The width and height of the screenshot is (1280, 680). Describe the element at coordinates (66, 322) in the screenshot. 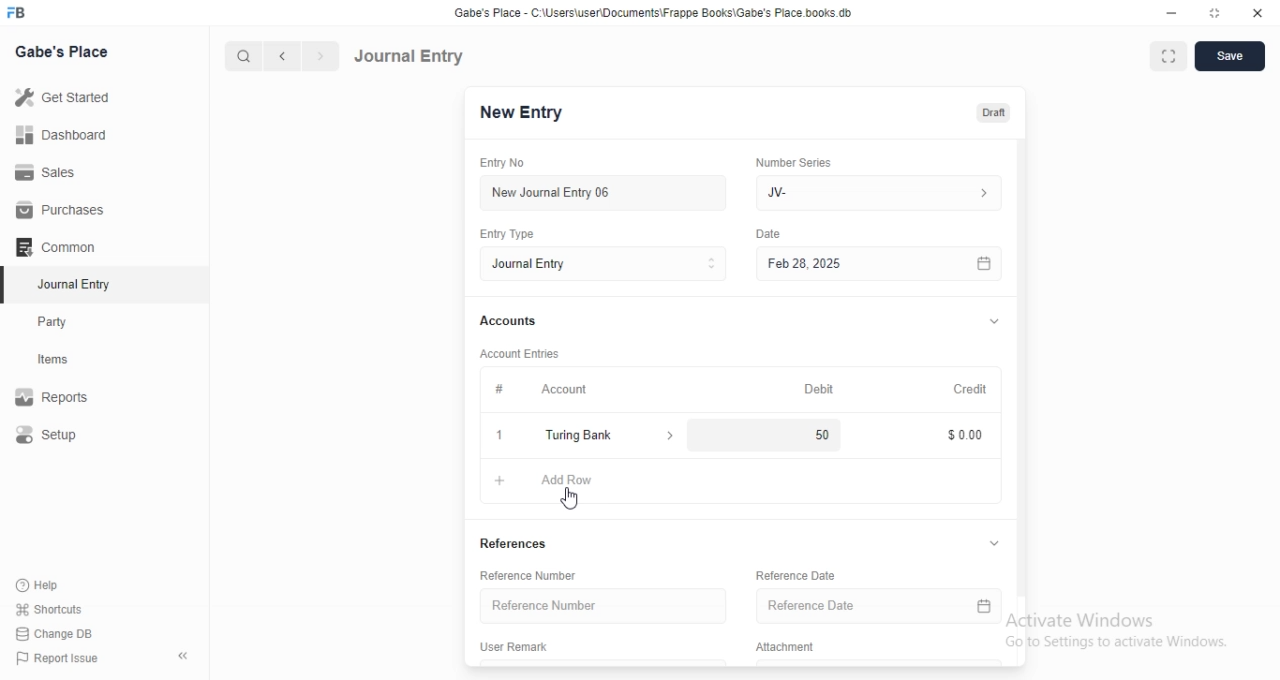

I see `Party` at that location.